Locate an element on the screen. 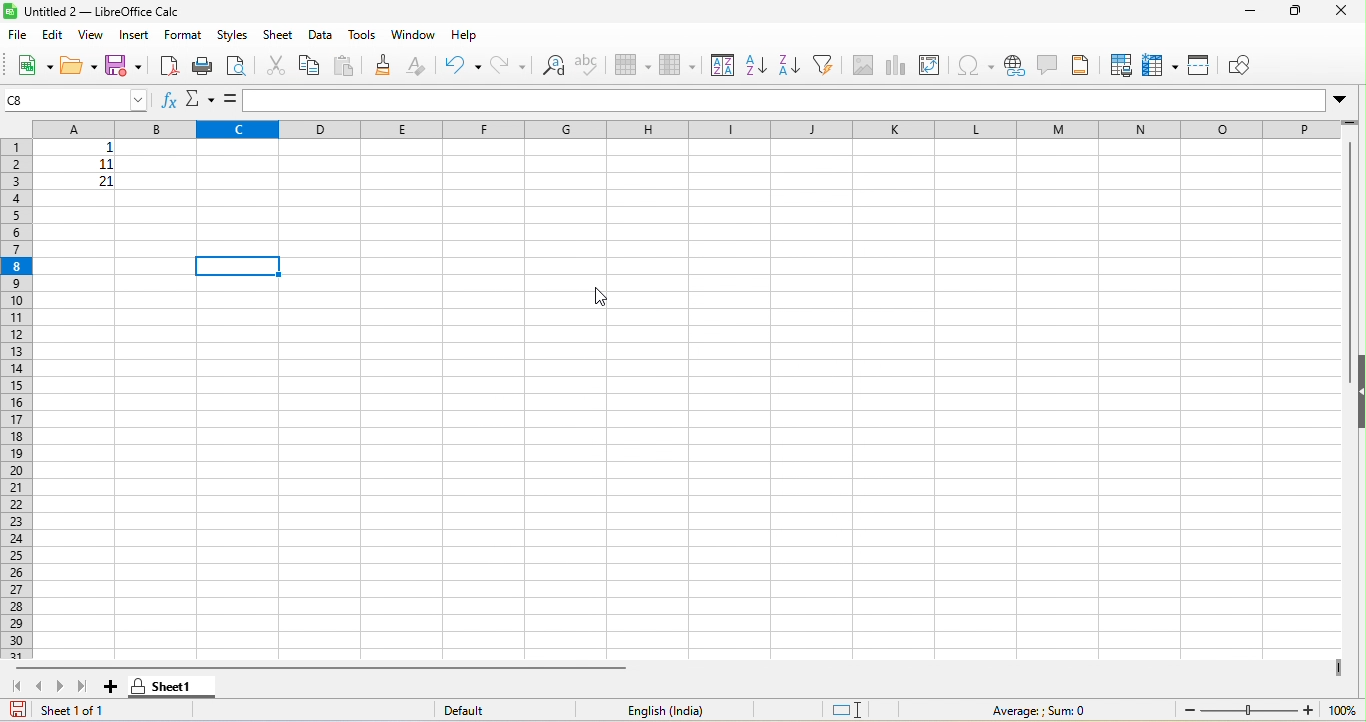 The image size is (1366, 722). formula is located at coordinates (1036, 710).